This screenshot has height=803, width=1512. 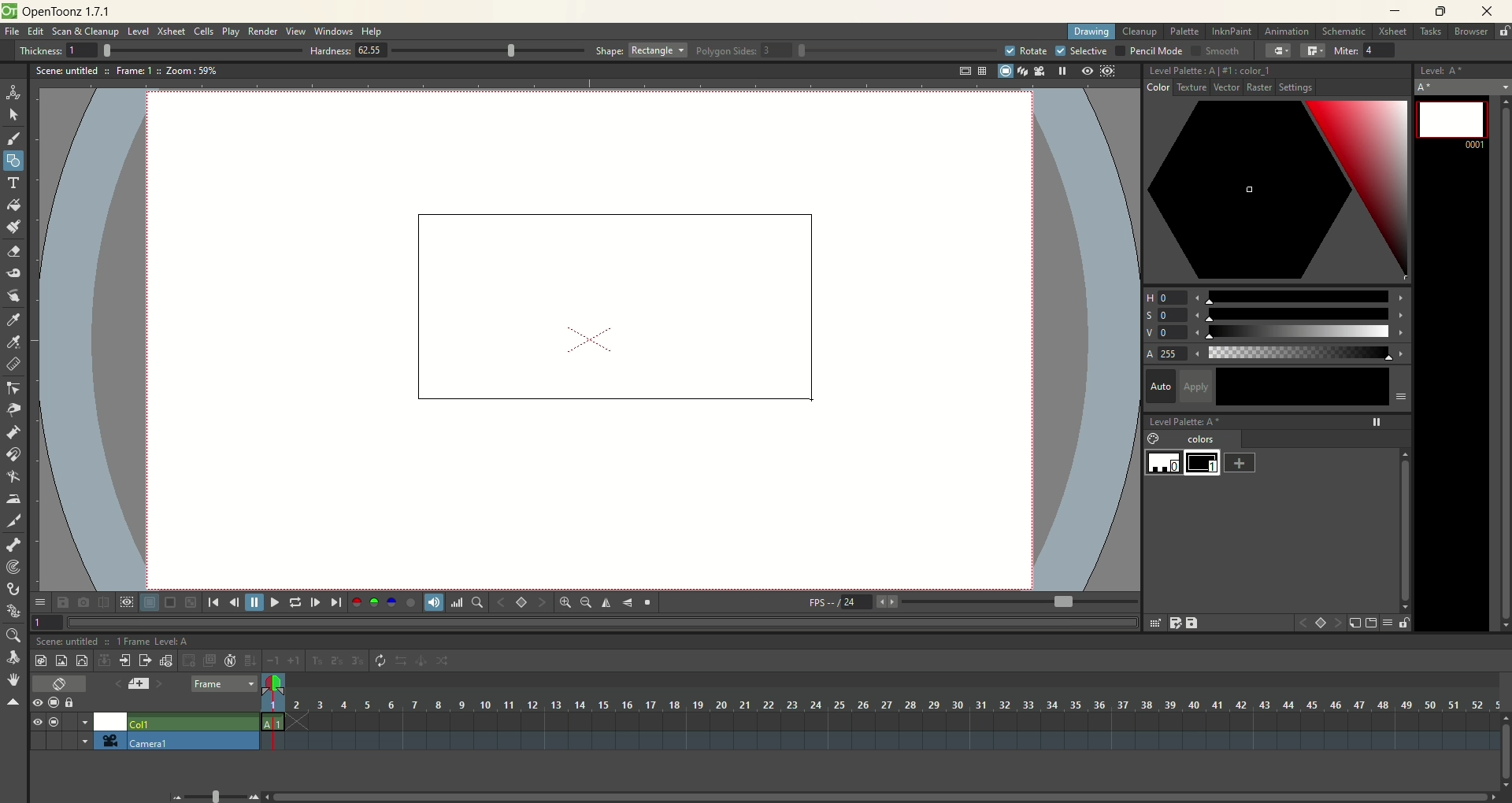 I want to click on hue, so click(x=1277, y=294).